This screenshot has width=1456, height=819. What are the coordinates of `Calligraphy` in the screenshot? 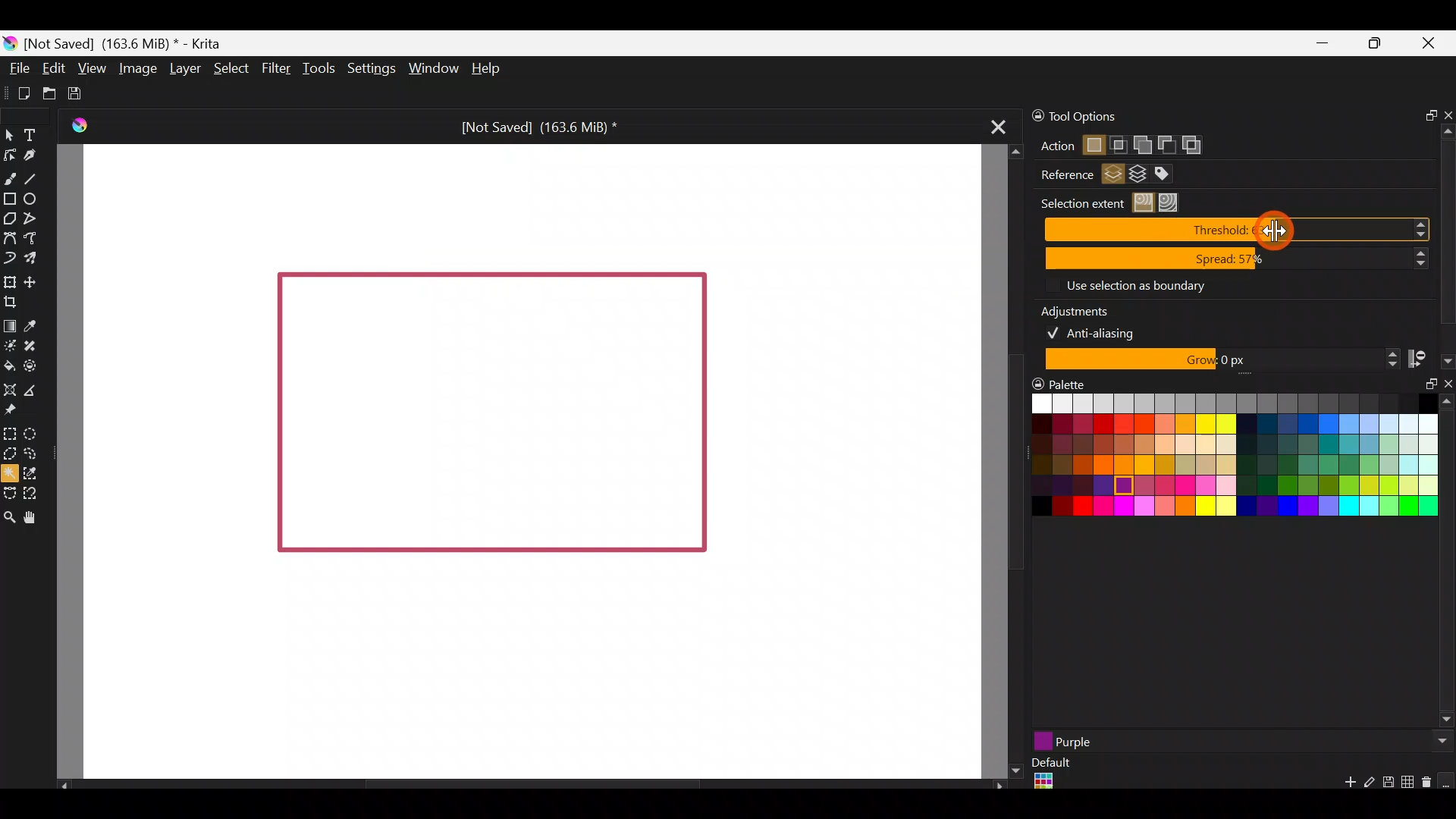 It's located at (33, 155).